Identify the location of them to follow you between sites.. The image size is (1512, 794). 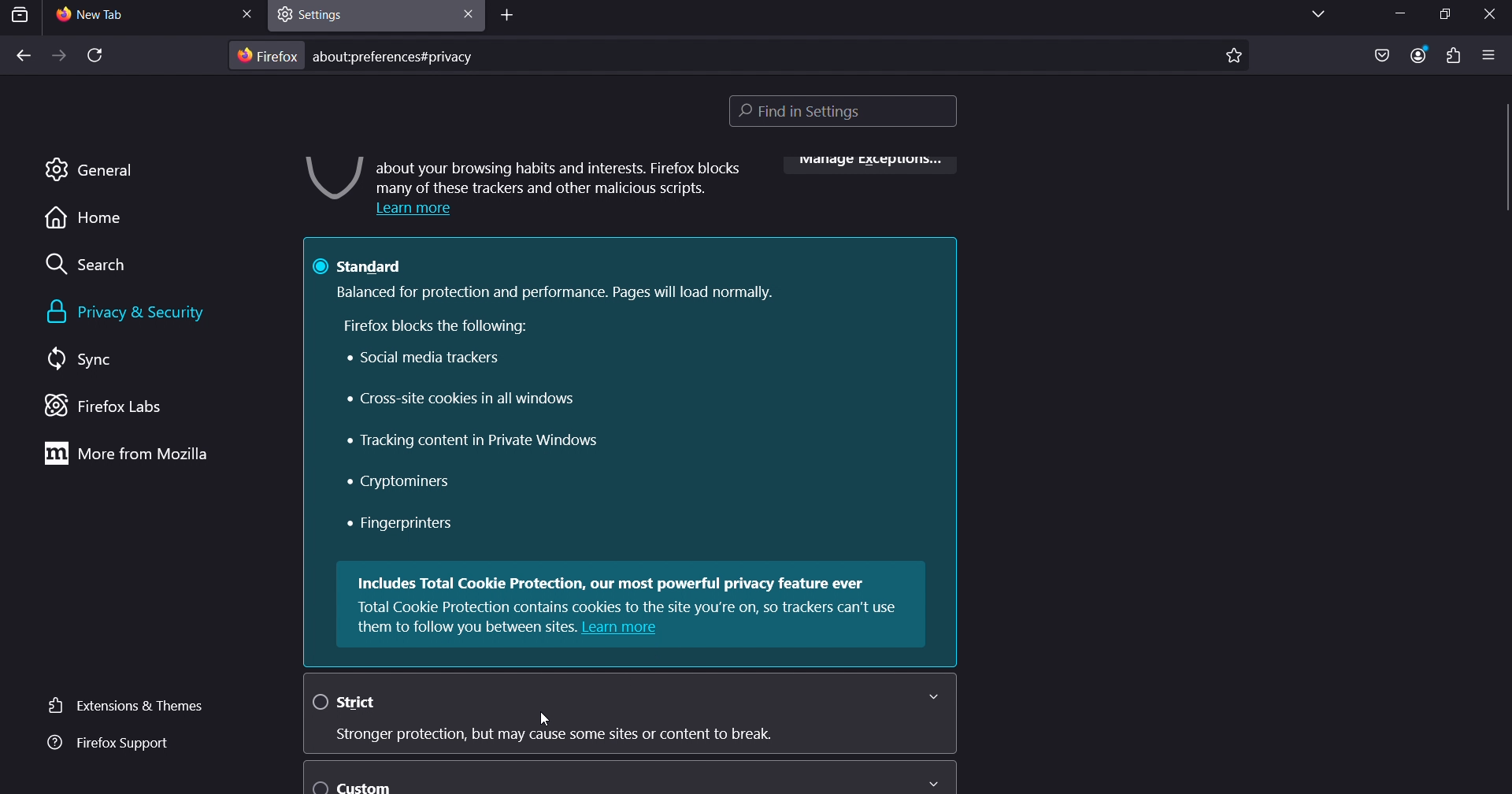
(466, 627).